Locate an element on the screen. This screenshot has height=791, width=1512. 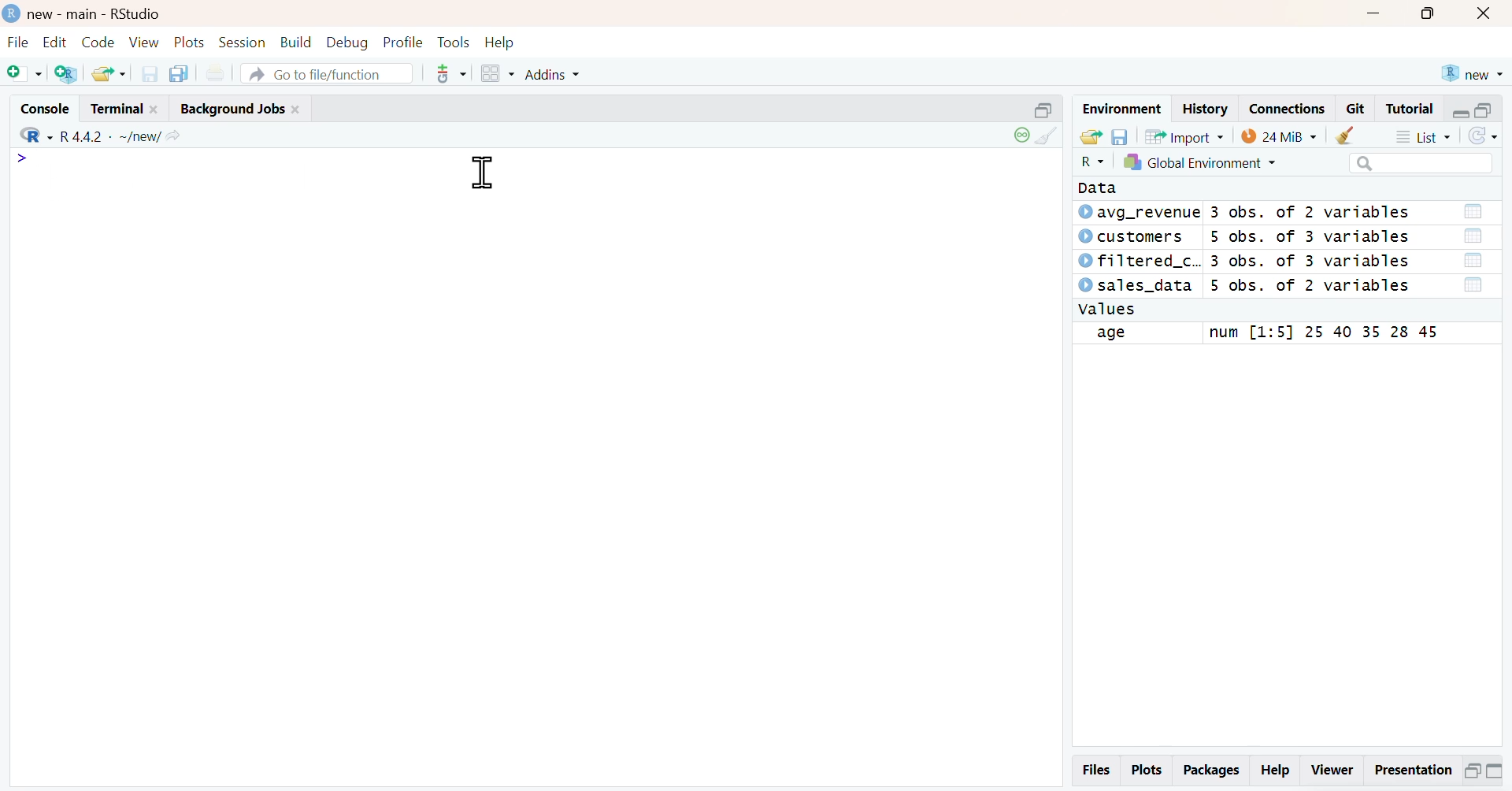
History is located at coordinates (1206, 109).